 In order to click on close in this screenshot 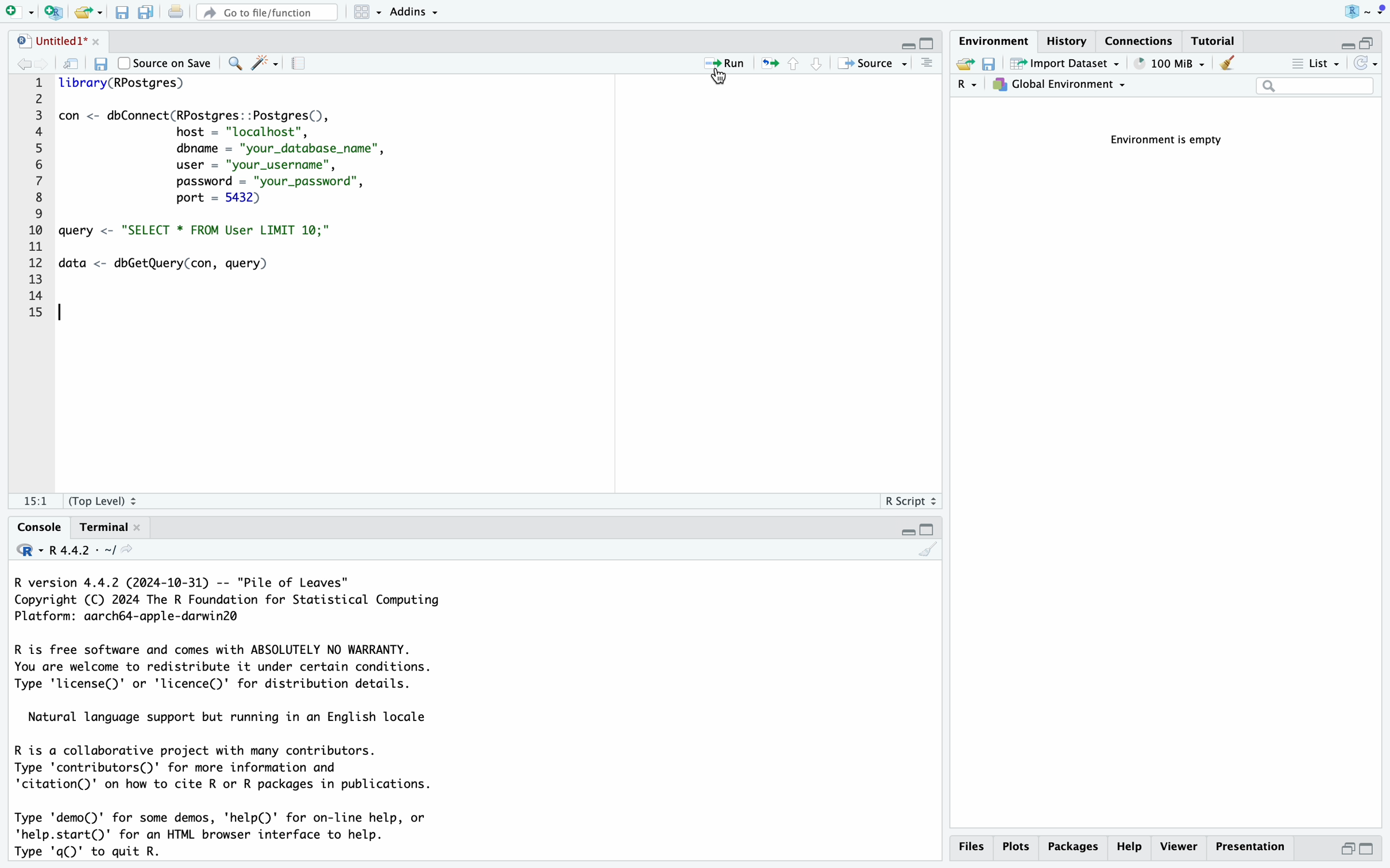, I will do `click(93, 40)`.